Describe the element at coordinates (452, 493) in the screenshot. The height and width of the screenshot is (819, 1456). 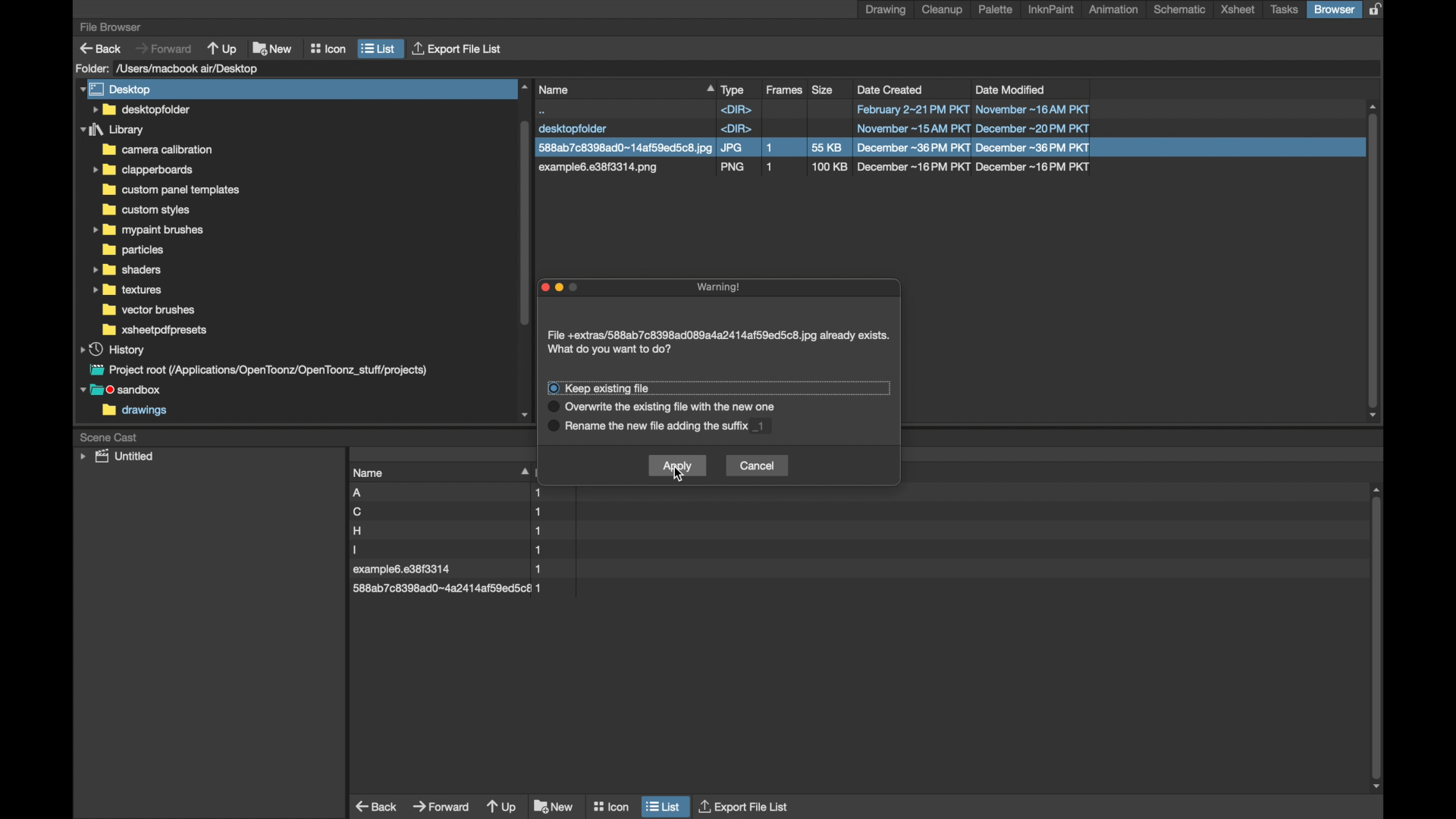
I see `file` at that location.